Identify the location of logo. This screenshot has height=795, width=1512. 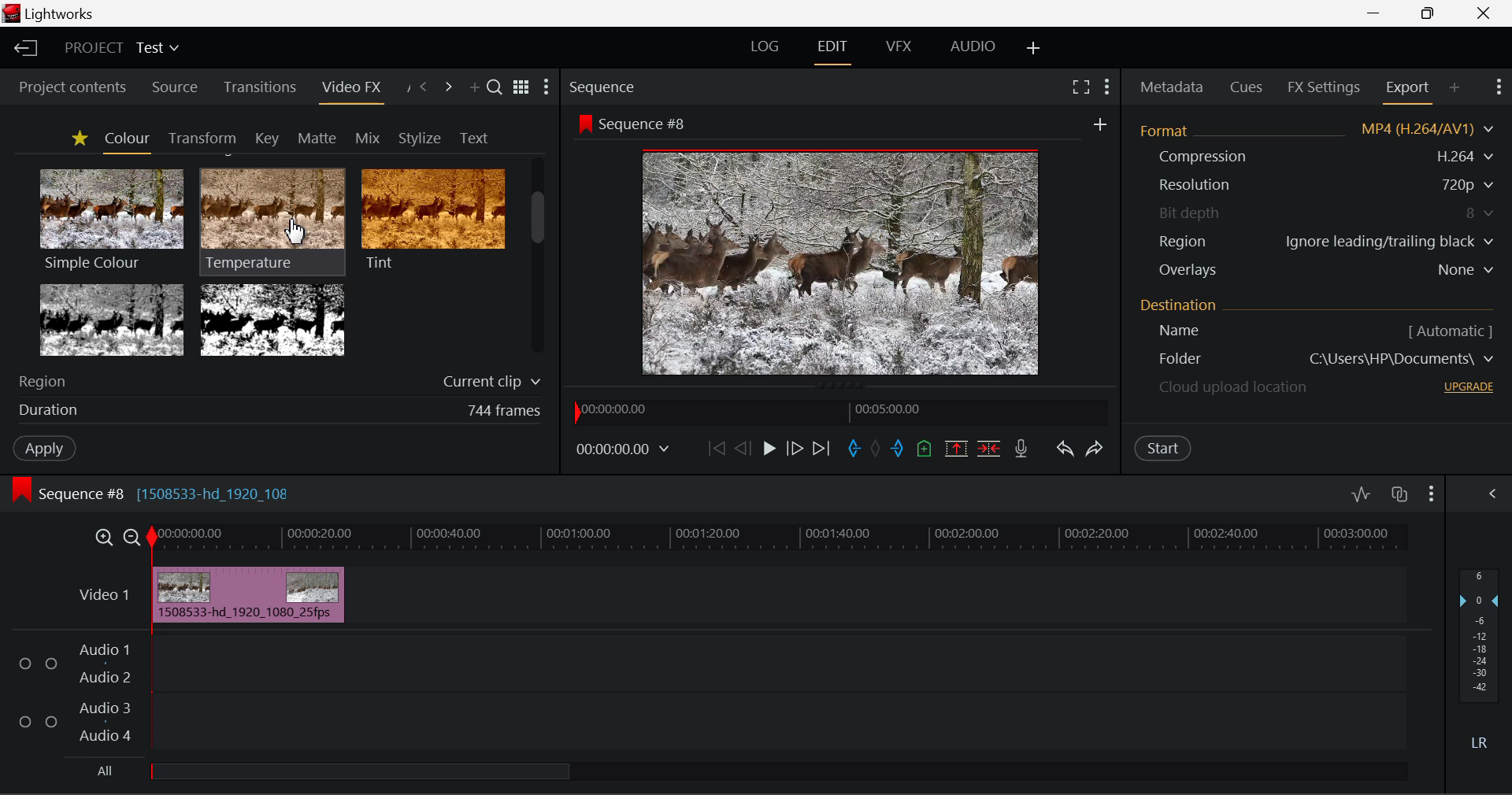
(11, 13).